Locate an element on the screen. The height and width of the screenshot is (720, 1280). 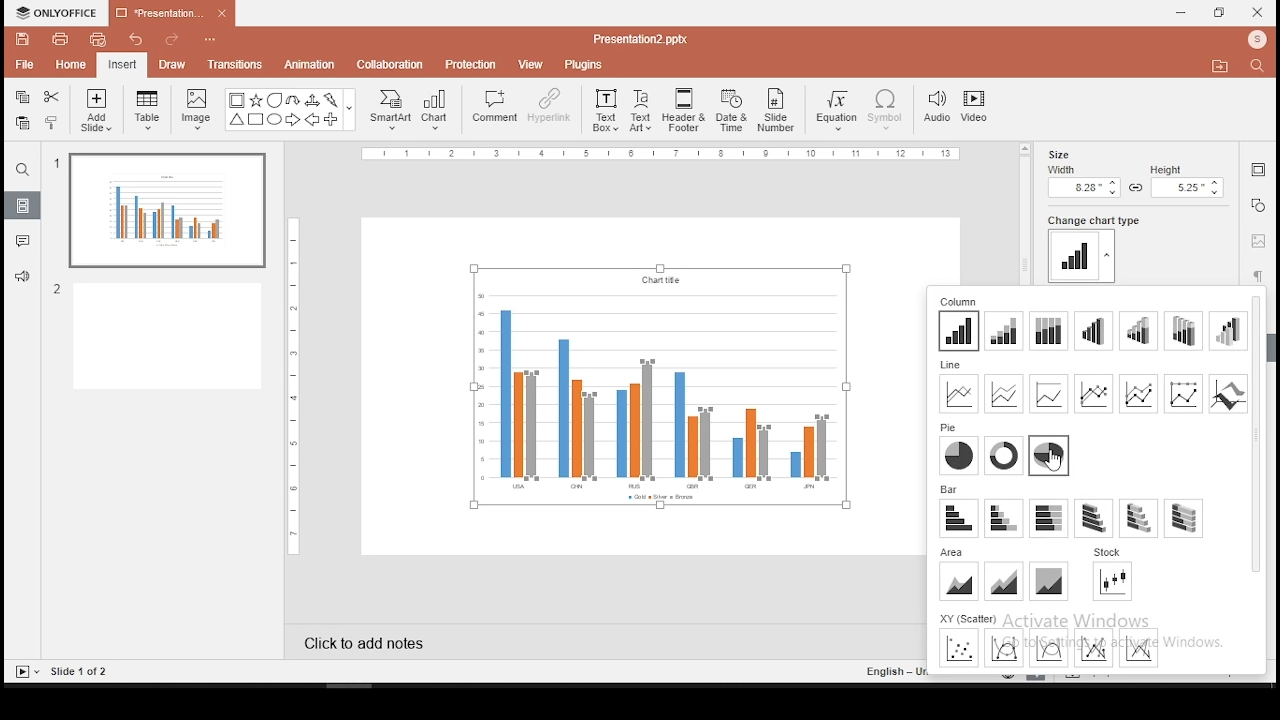
support and feedback is located at coordinates (22, 279).